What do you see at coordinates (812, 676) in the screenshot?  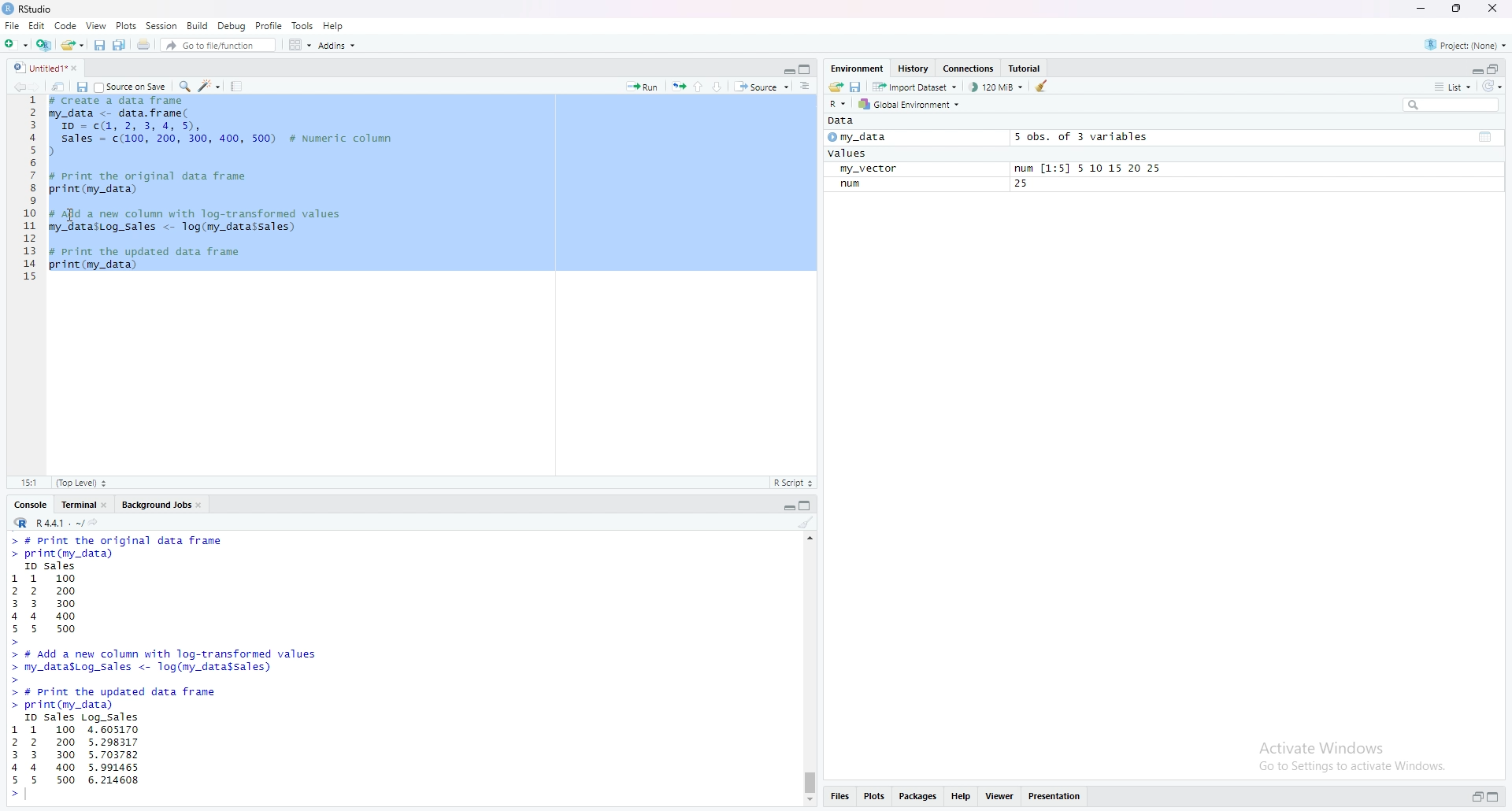 I see `scrollbar` at bounding box center [812, 676].